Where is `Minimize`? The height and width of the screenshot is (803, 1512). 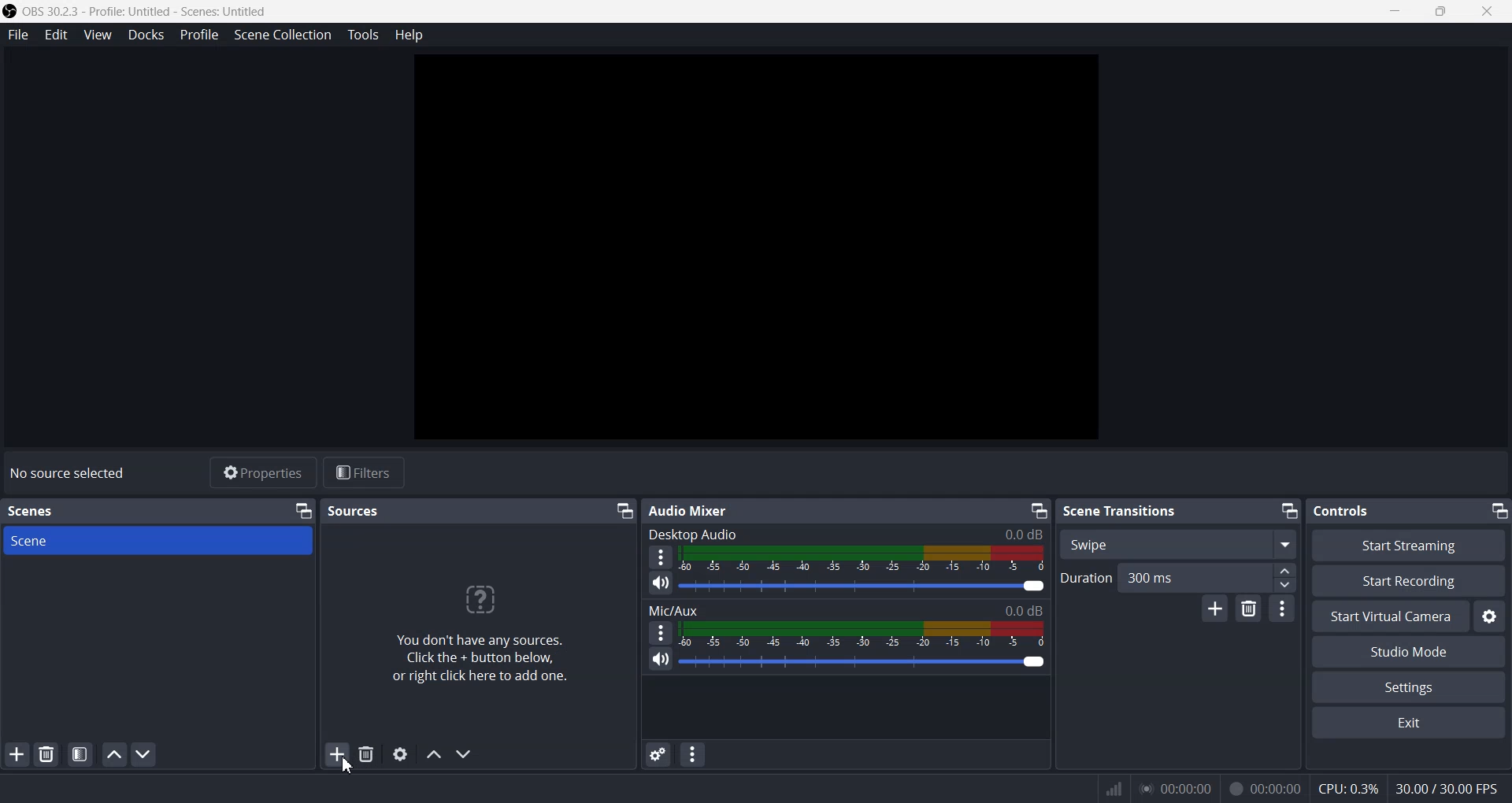 Minimize is located at coordinates (623, 510).